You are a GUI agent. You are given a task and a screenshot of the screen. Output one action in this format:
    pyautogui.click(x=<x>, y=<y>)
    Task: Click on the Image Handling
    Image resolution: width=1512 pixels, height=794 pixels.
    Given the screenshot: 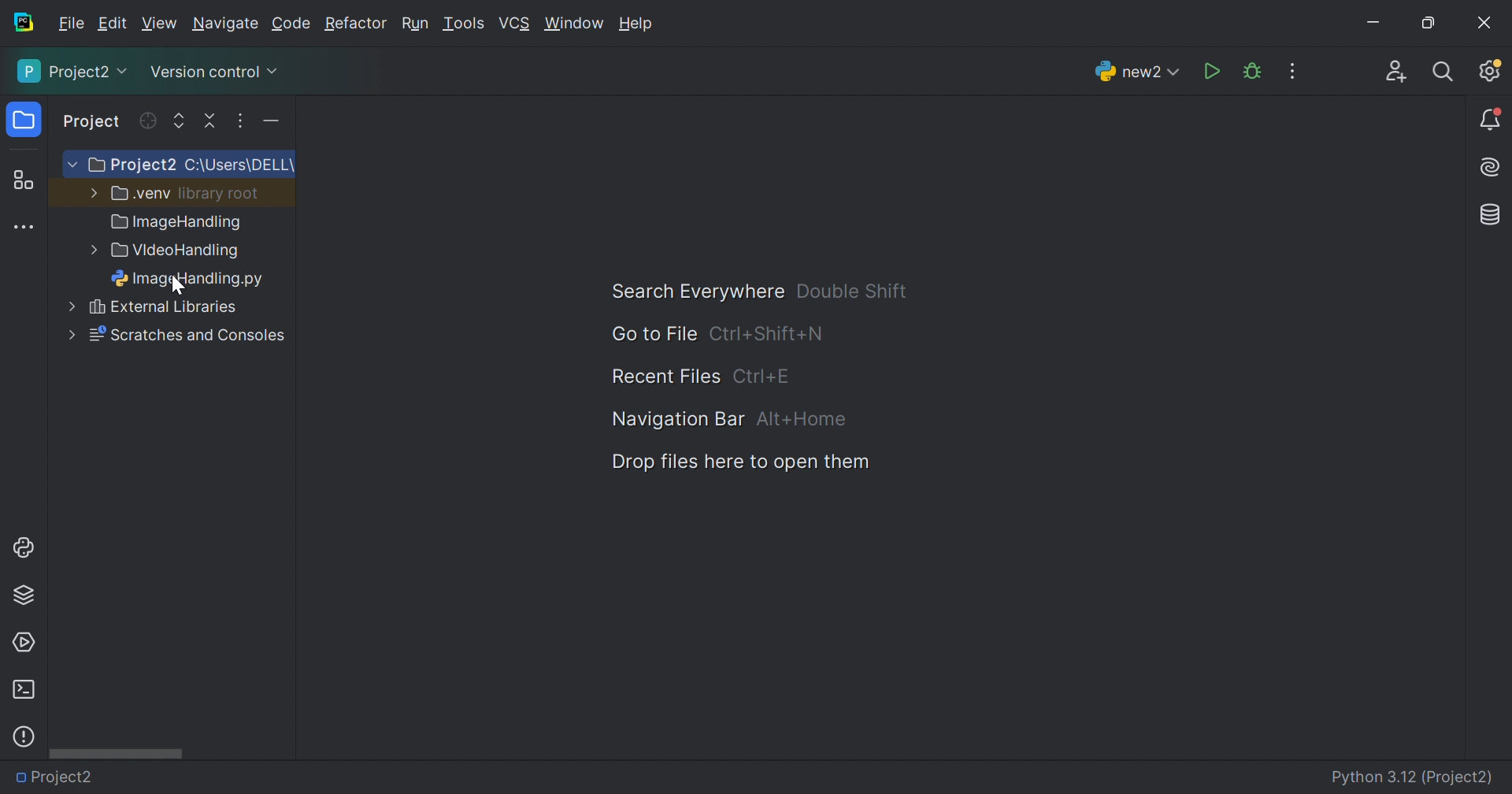 What is the action you would take?
    pyautogui.click(x=177, y=224)
    